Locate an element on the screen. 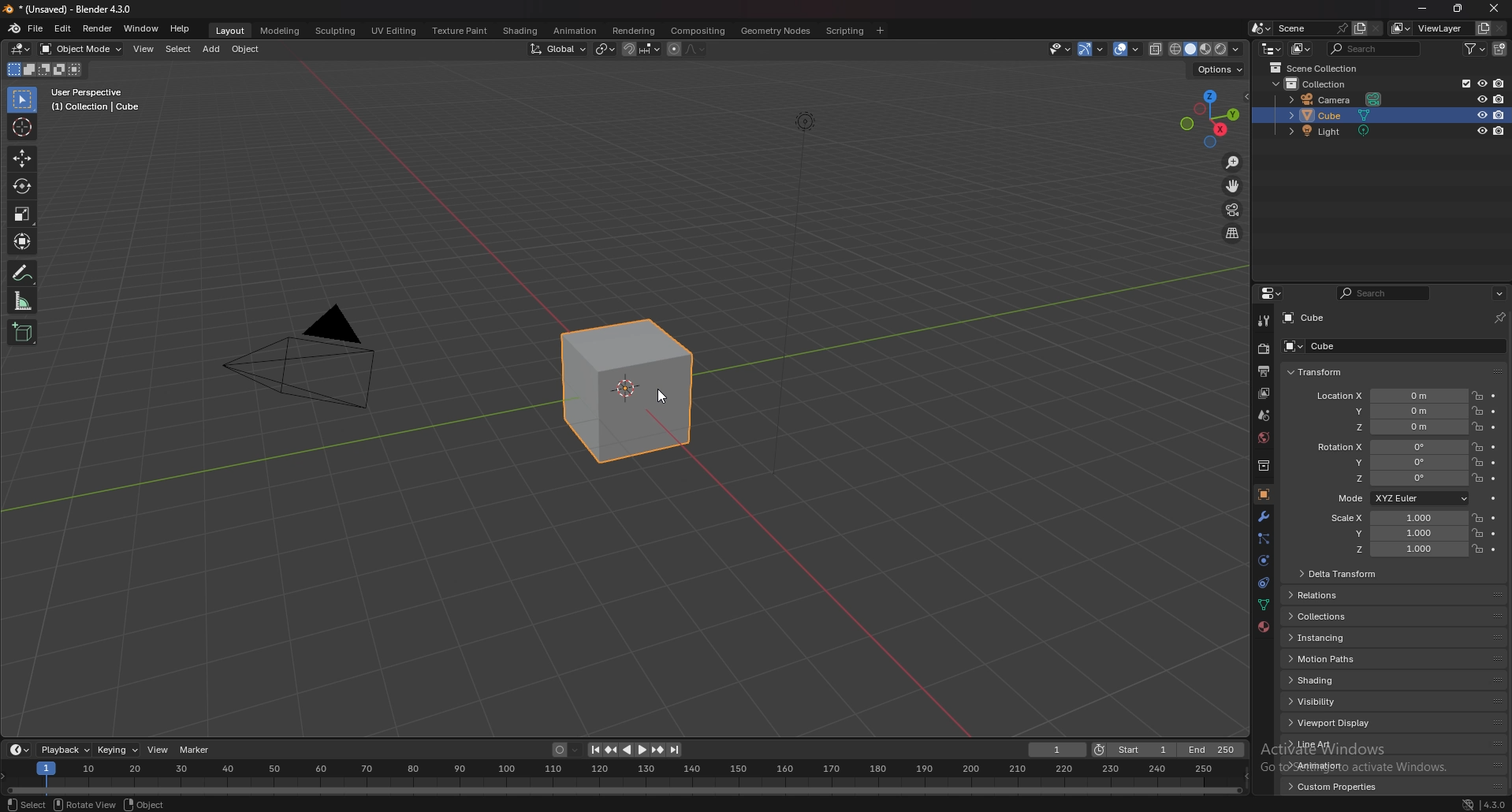  disable in renders is located at coordinates (1499, 130).